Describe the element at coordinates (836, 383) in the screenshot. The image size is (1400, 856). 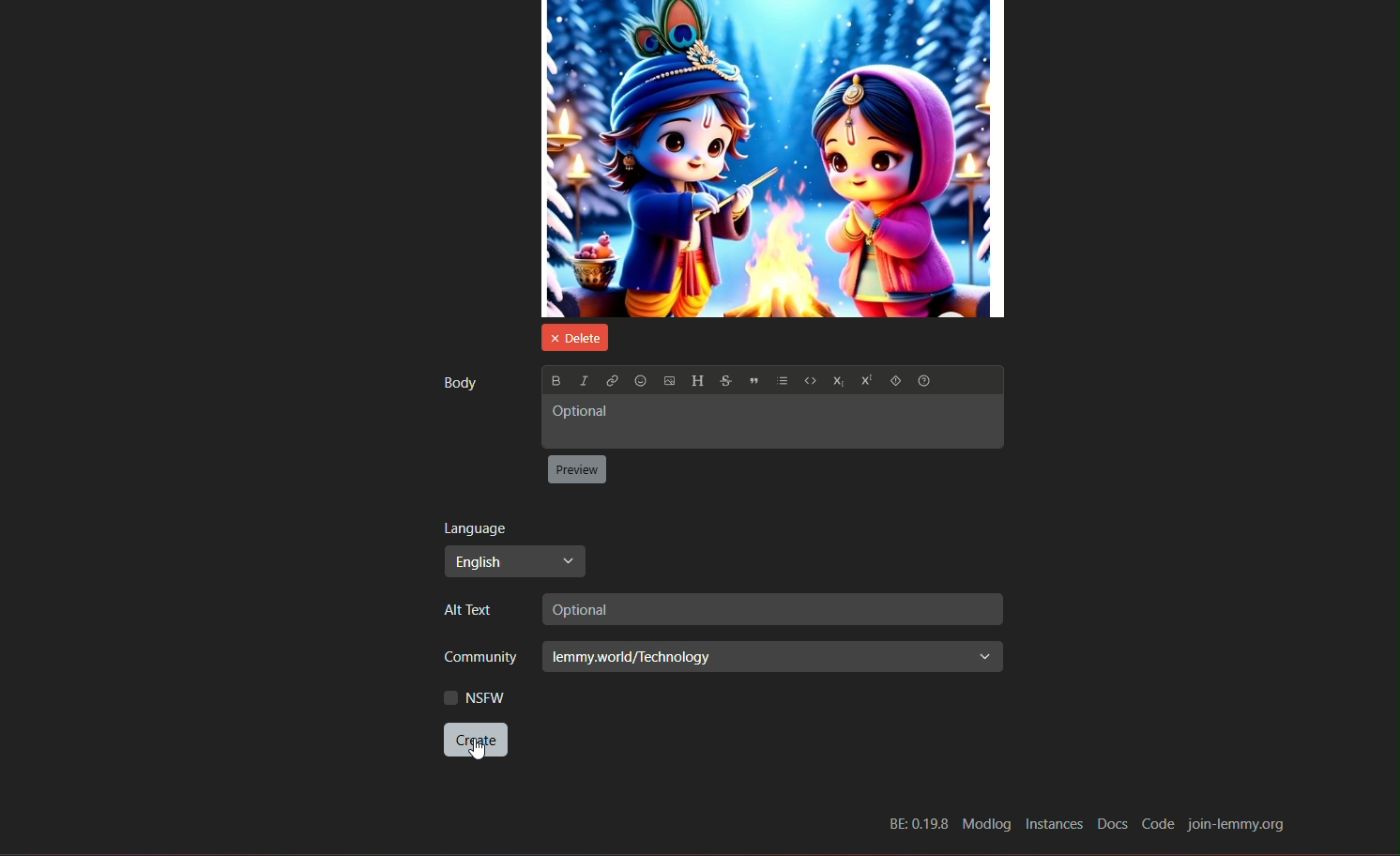
I see `` at that location.